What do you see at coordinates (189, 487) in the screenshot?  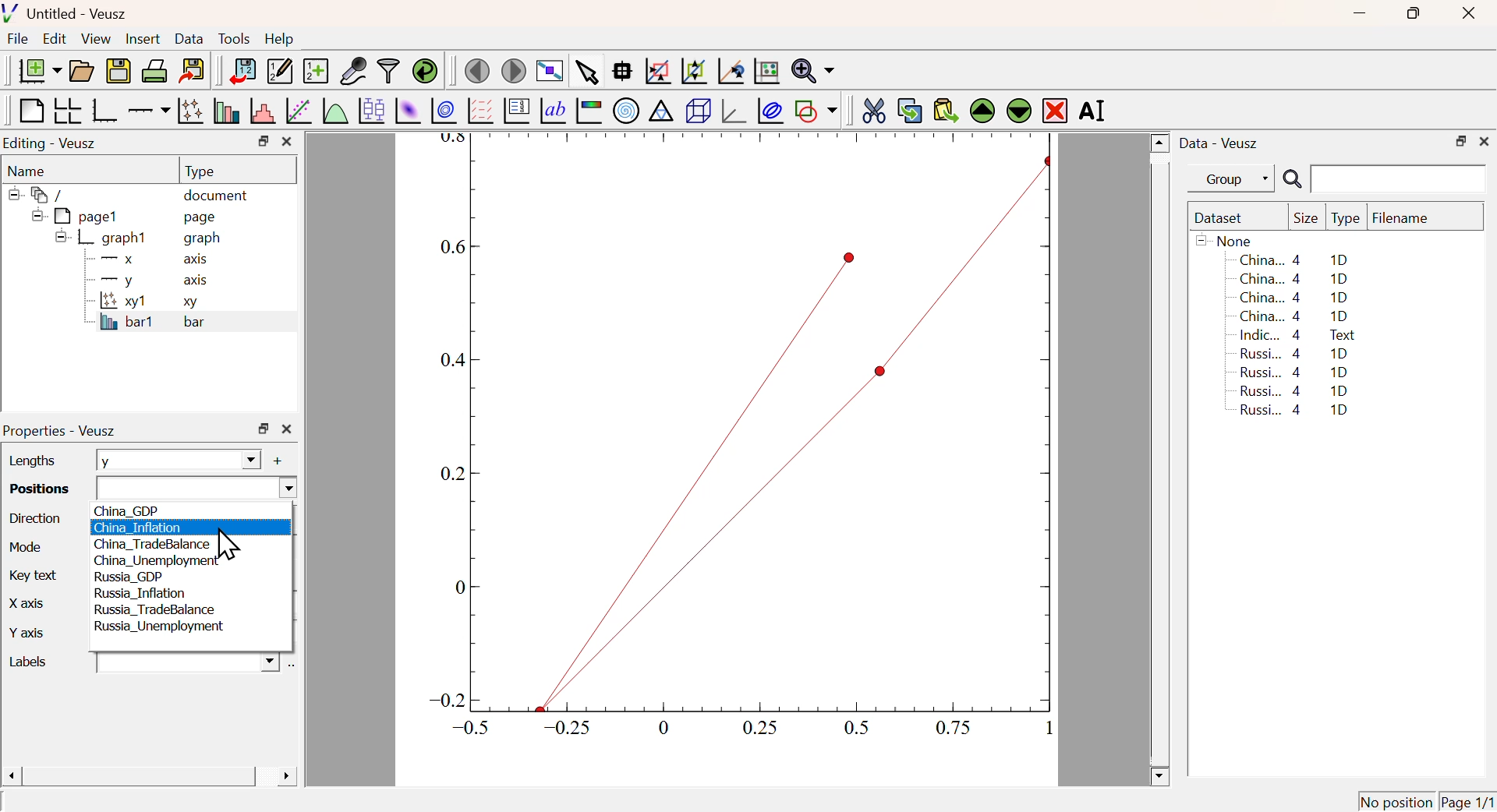 I see `Dropdown` at bounding box center [189, 487].